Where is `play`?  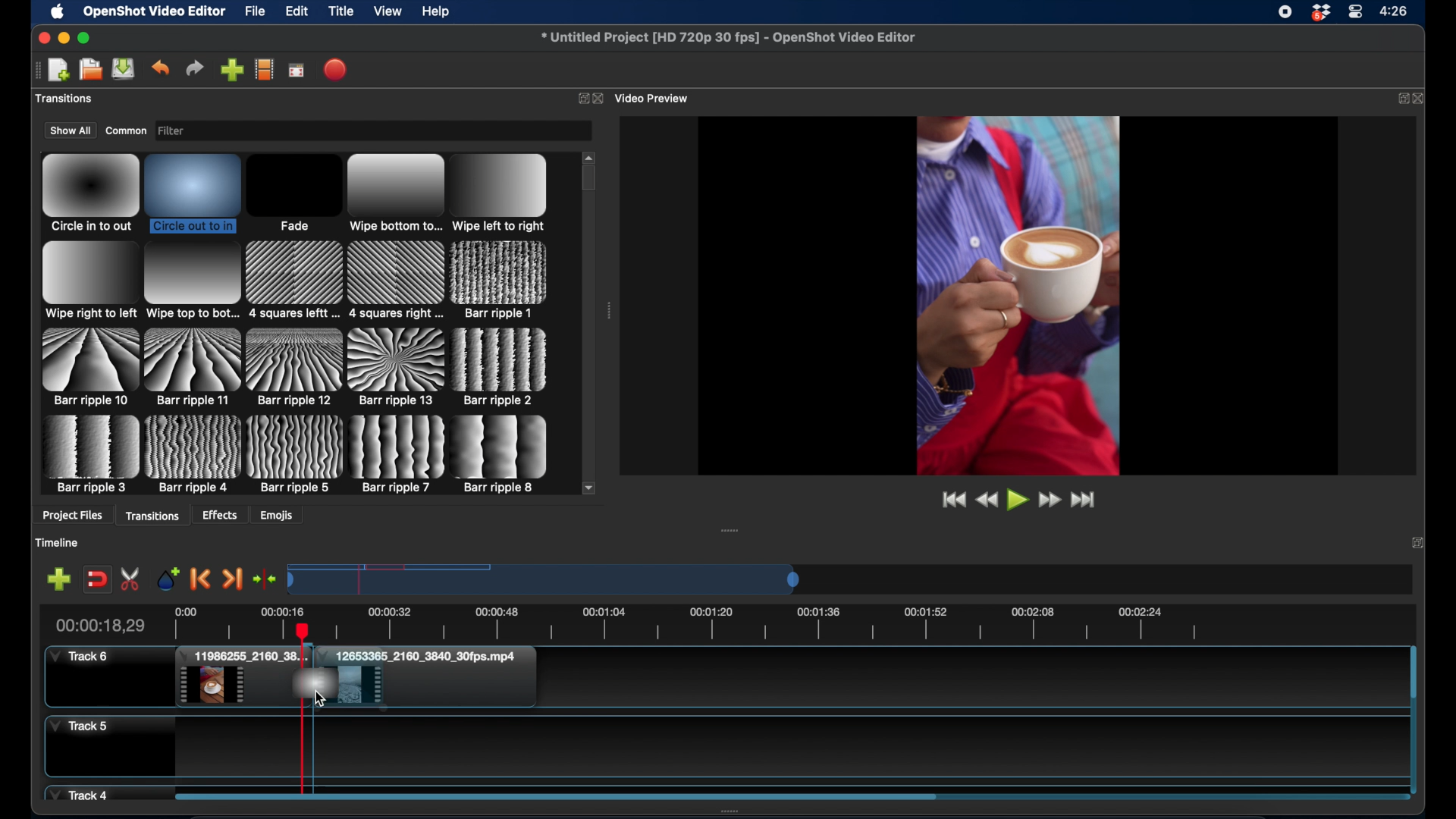 play is located at coordinates (1017, 501).